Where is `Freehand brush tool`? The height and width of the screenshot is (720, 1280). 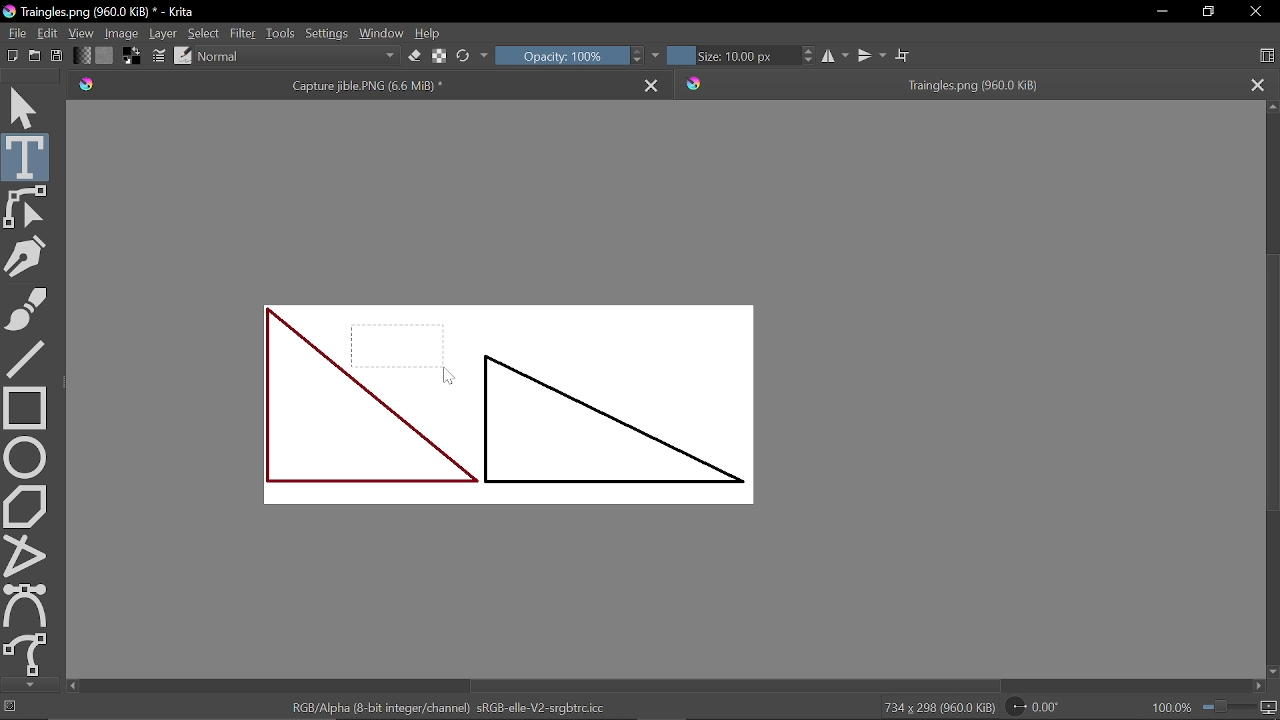 Freehand brush tool is located at coordinates (26, 306).